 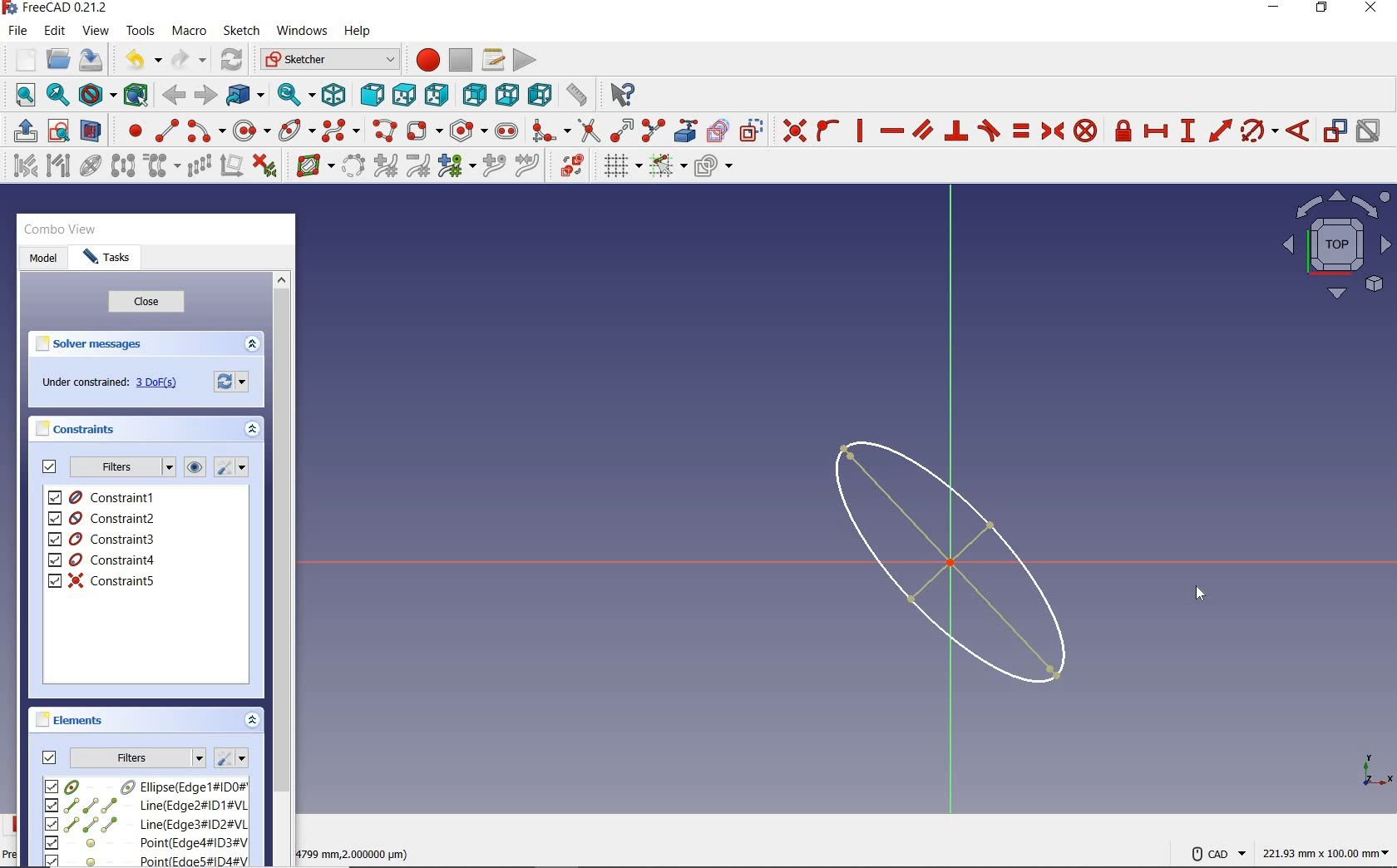 What do you see at coordinates (160, 166) in the screenshot?
I see `clone` at bounding box center [160, 166].